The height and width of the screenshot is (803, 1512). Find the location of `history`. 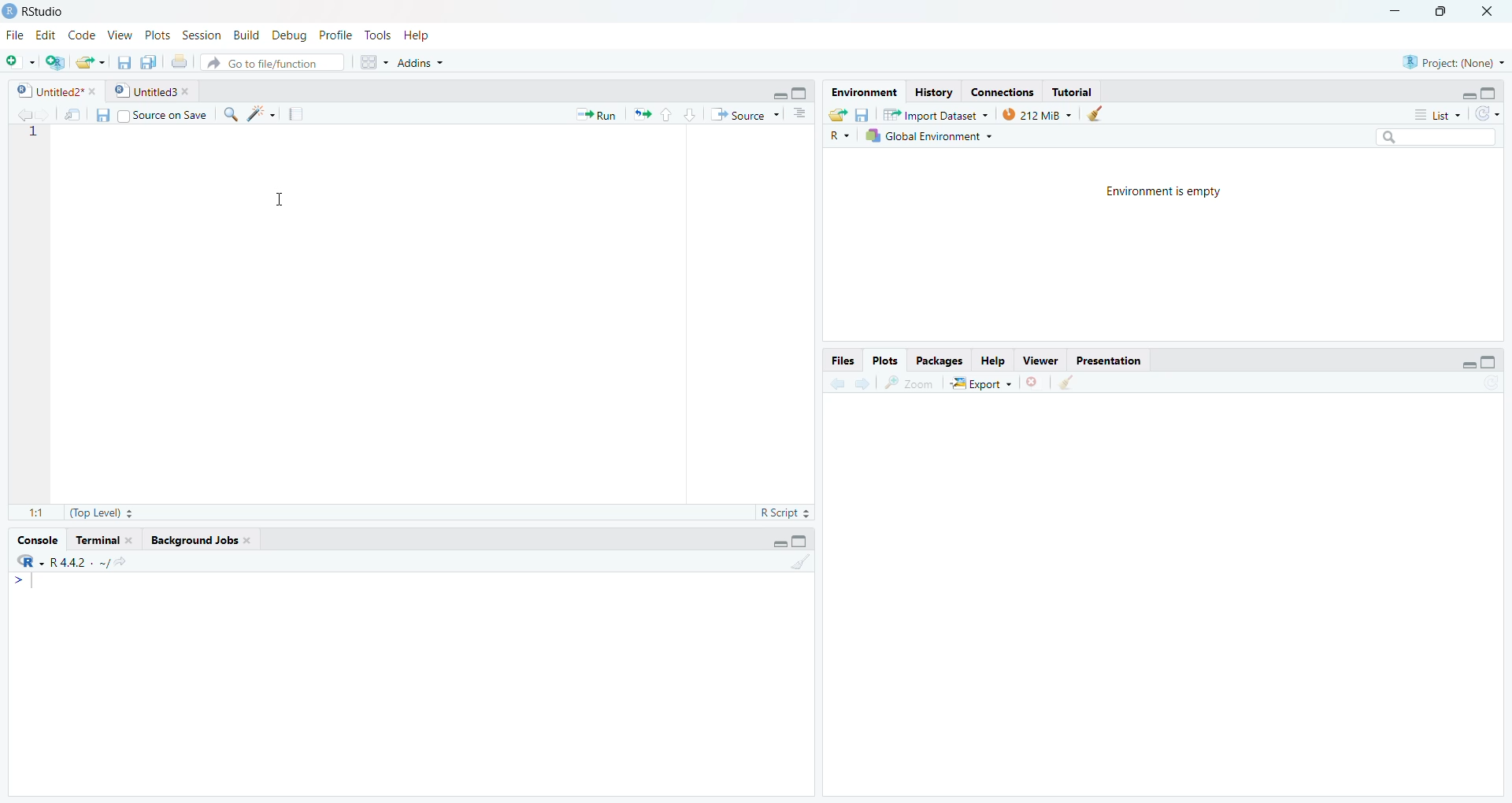

history is located at coordinates (931, 91).